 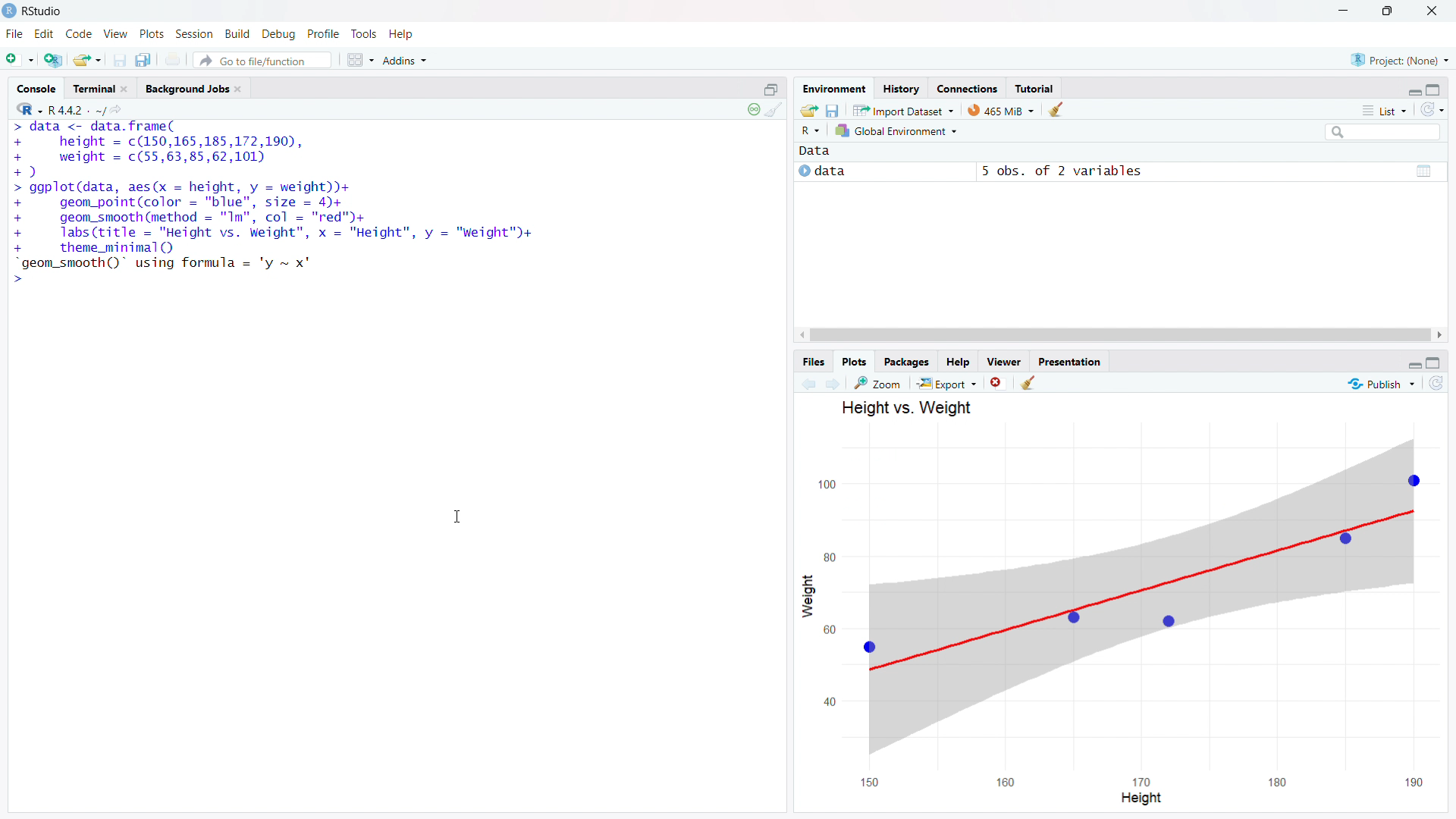 I want to click on tools, so click(x=363, y=34).